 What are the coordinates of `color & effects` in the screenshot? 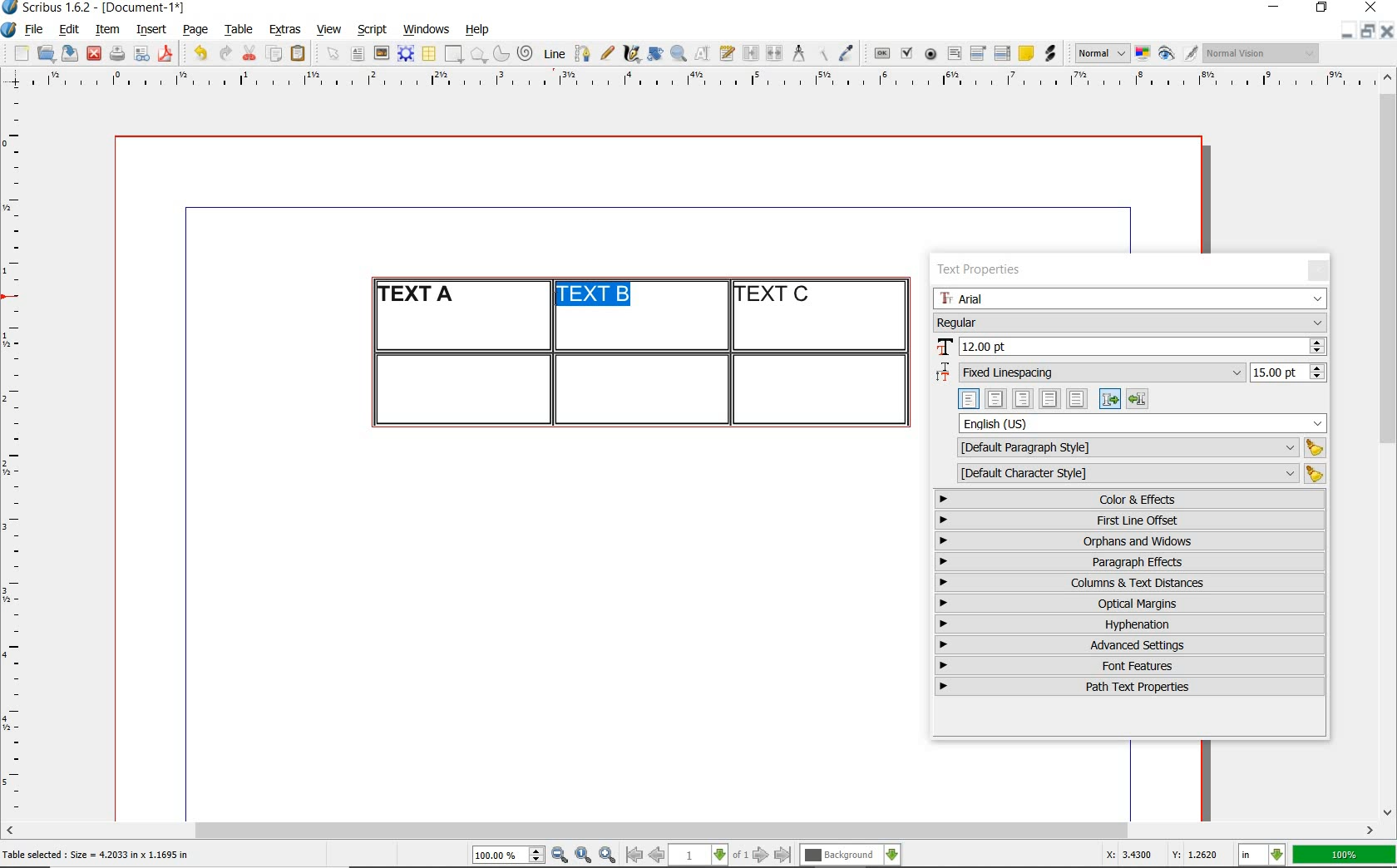 It's located at (1132, 499).